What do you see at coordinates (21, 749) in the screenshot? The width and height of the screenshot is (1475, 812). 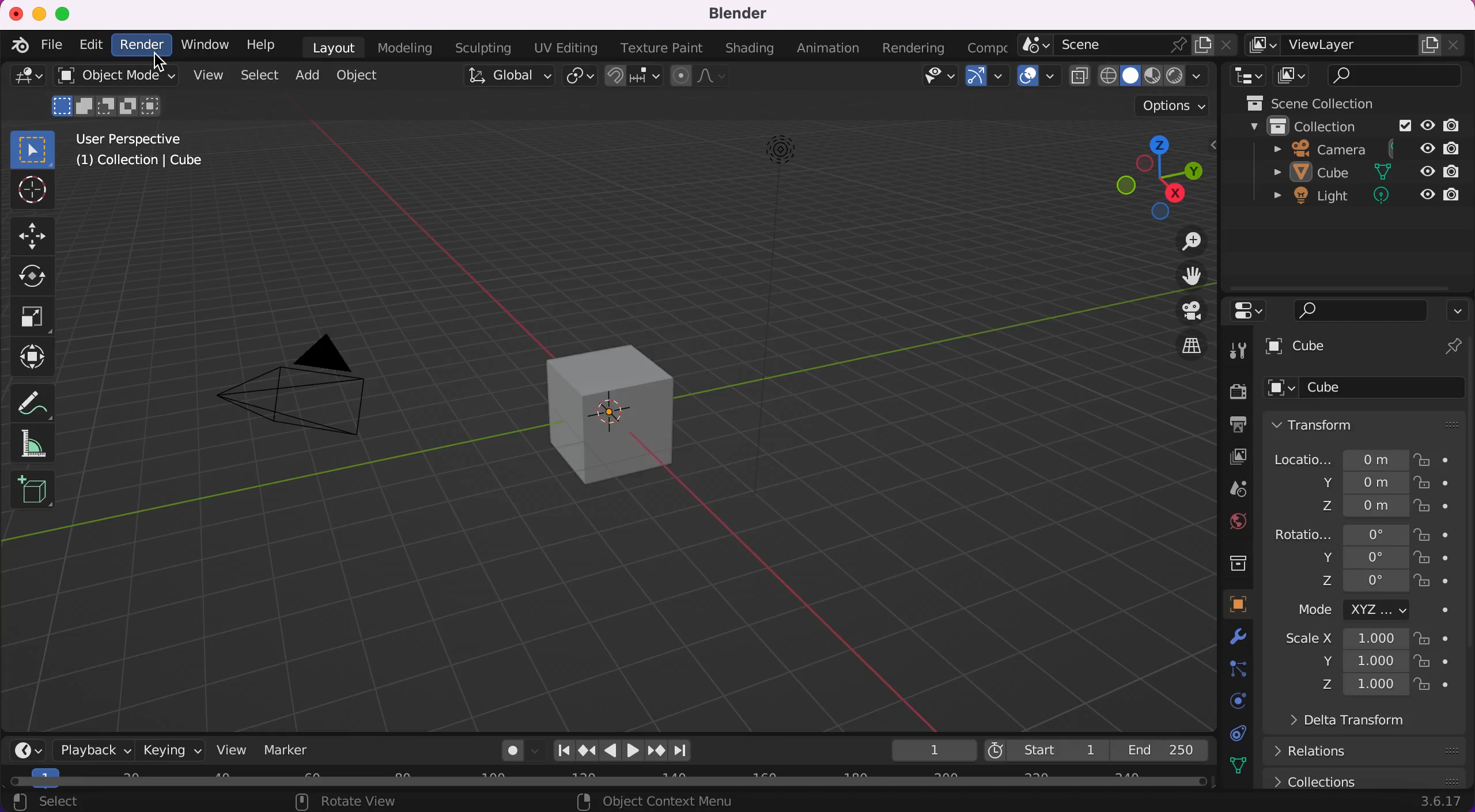 I see `editor type` at bounding box center [21, 749].